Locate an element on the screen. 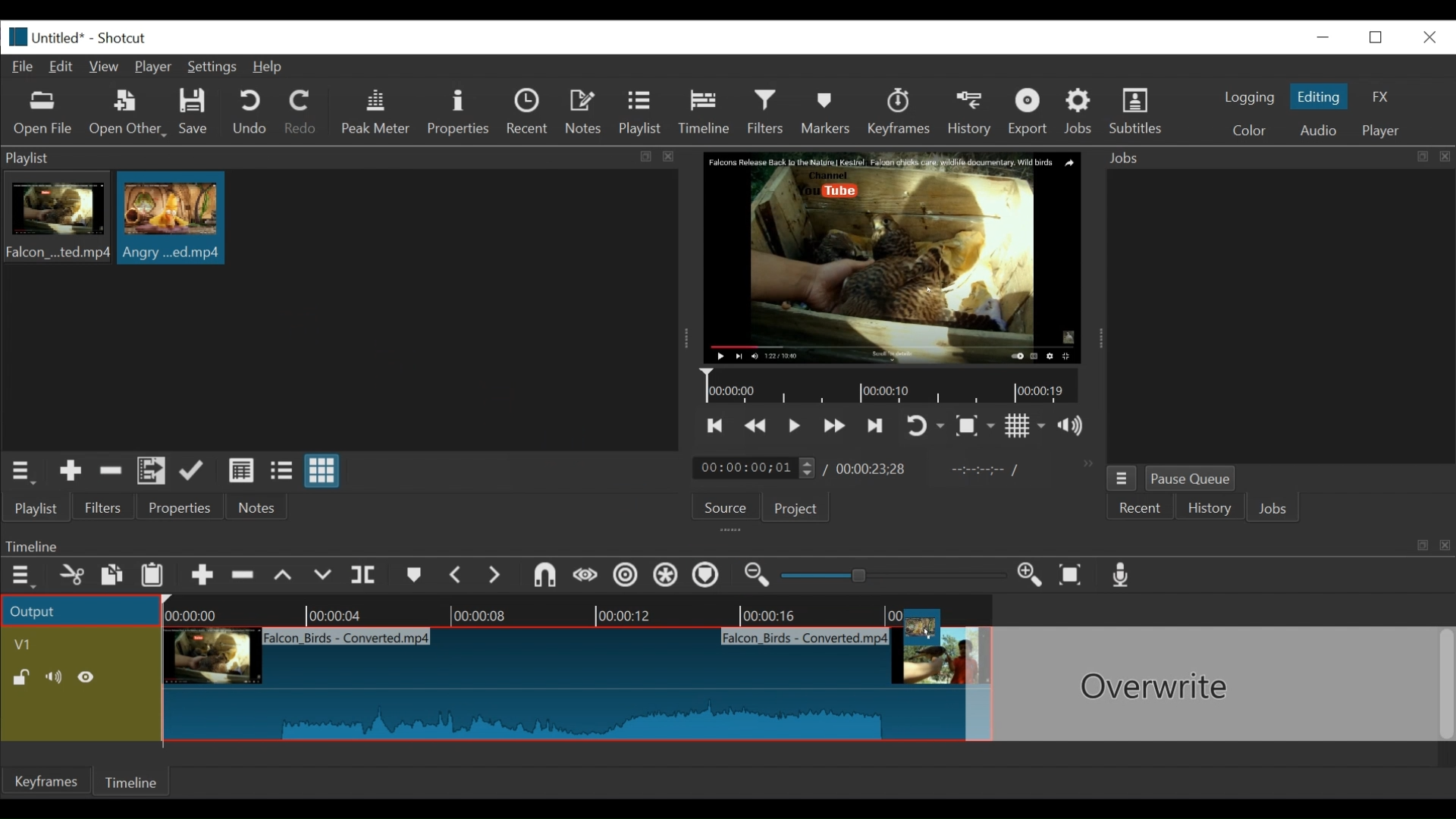 This screenshot has width=1456, height=819. Toggle play or pause is located at coordinates (795, 425).